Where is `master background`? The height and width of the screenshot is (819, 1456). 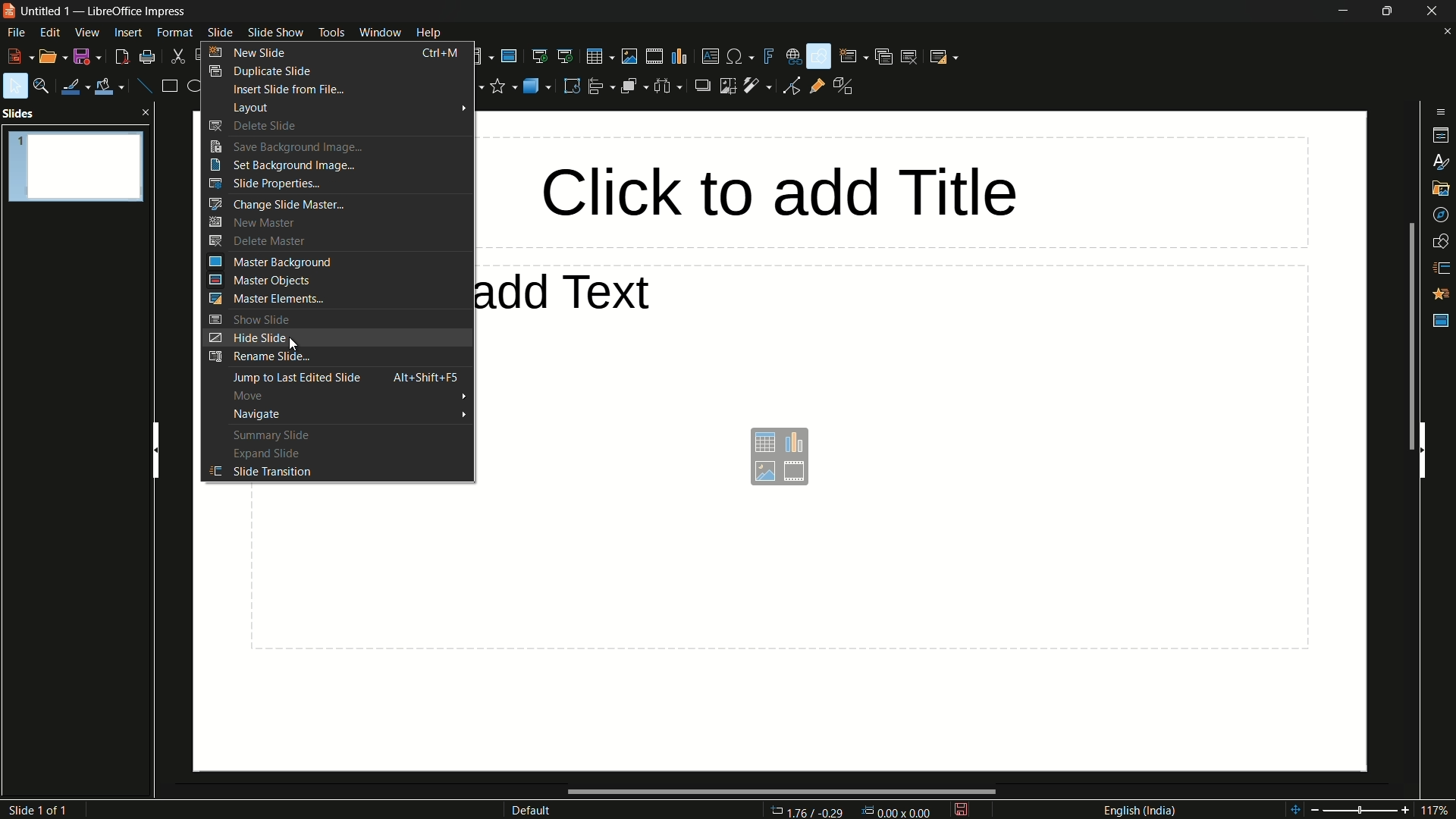
master background is located at coordinates (268, 262).